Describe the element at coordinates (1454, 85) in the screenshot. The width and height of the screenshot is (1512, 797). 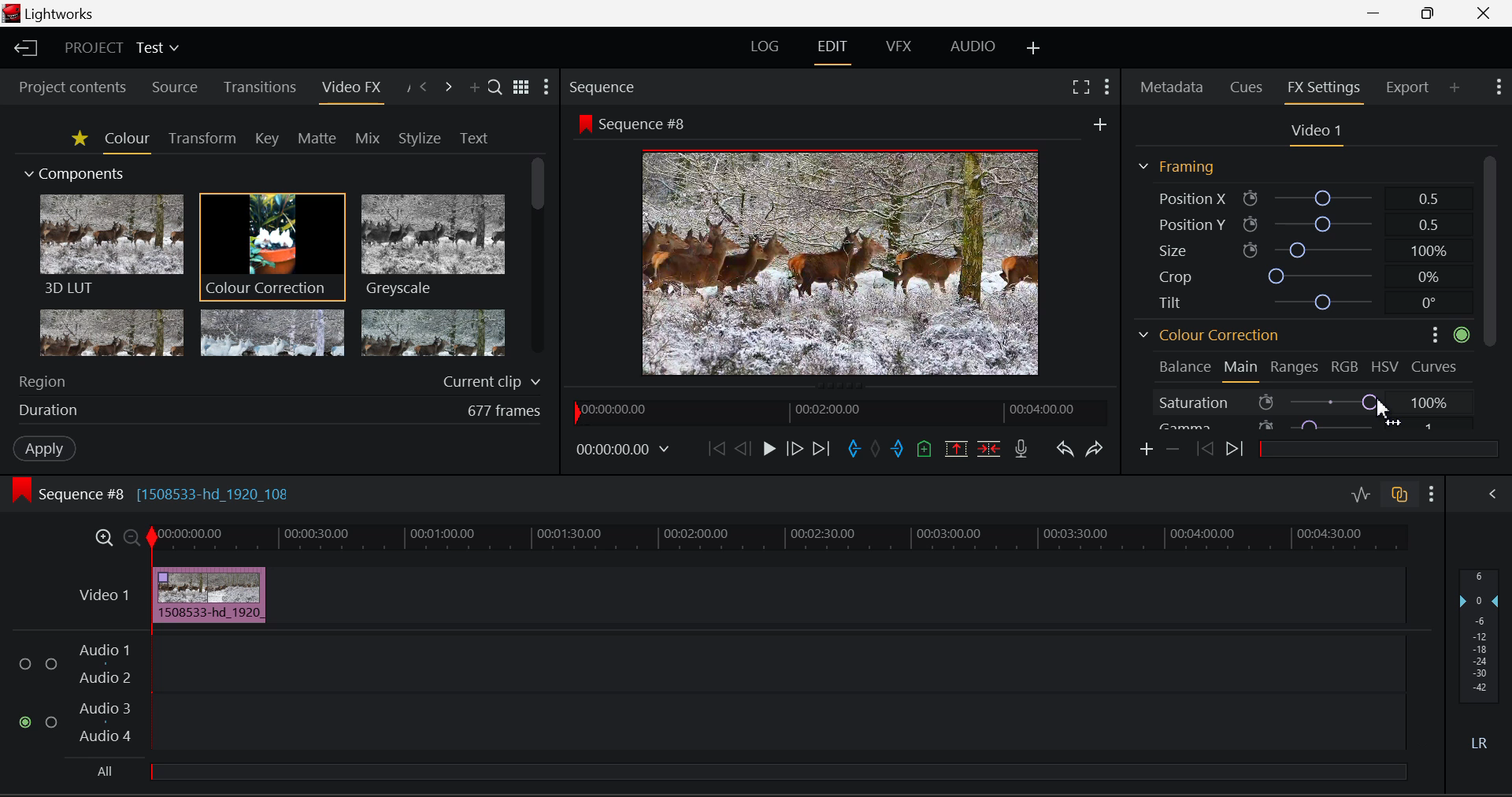
I see `Add Panel` at that location.